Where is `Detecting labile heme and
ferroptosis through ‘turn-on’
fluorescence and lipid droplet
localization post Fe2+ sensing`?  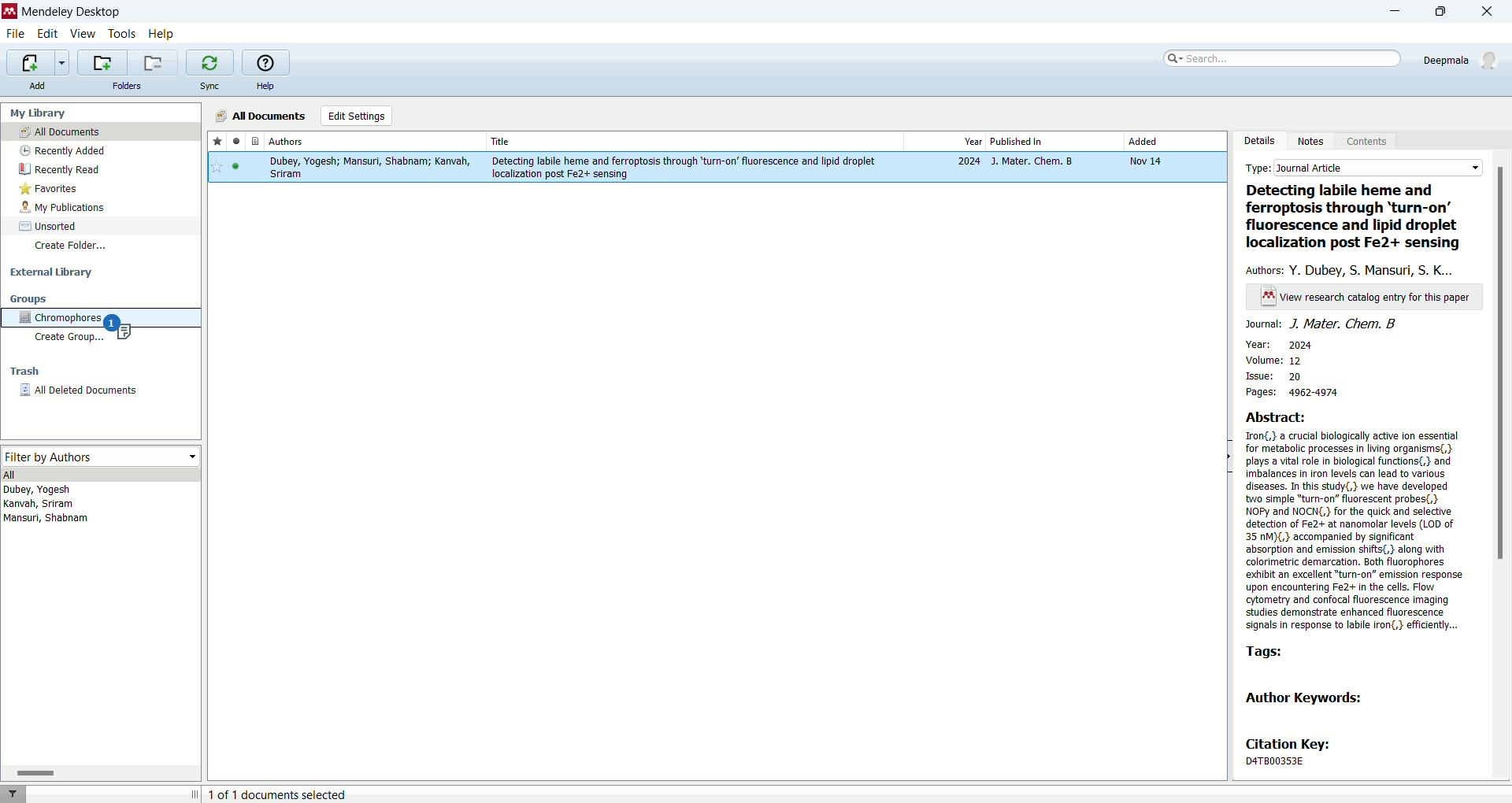
Detecting labile heme and
ferroptosis through ‘turn-on’
fluorescence and lipid droplet
localization post Fe2+ sensing is located at coordinates (1358, 218).